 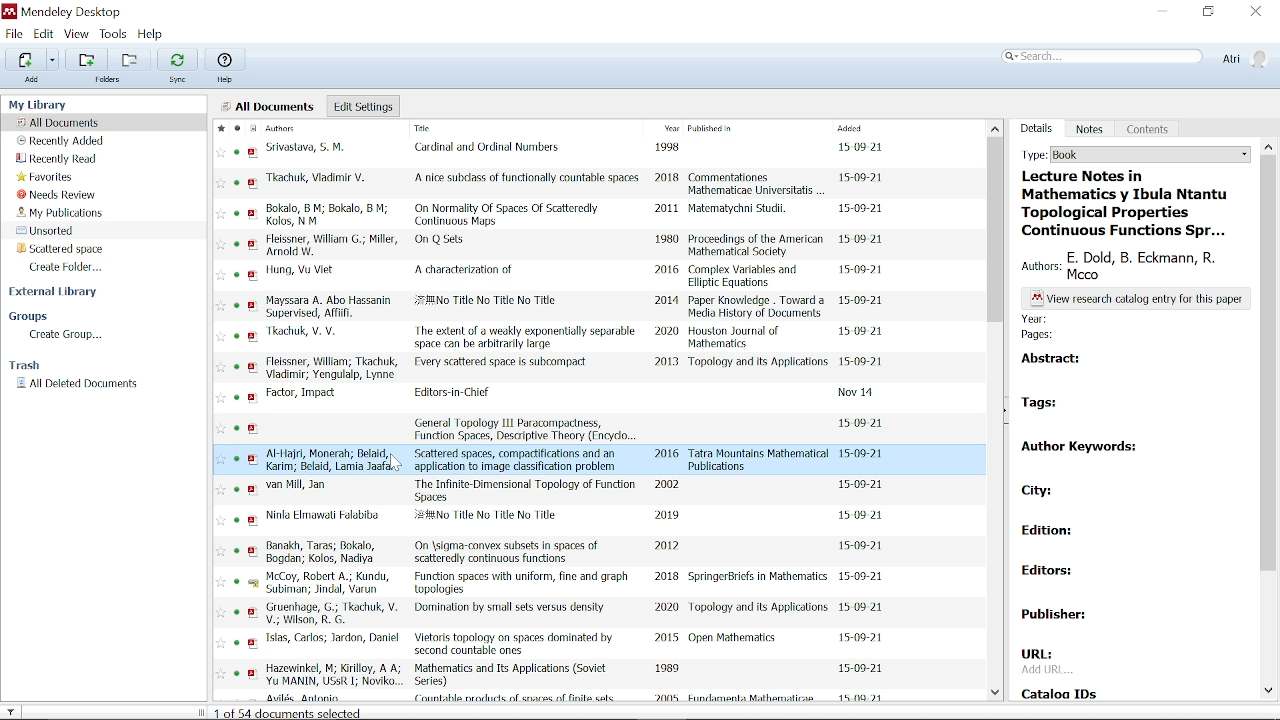 What do you see at coordinates (63, 141) in the screenshot?
I see `Recently added` at bounding box center [63, 141].